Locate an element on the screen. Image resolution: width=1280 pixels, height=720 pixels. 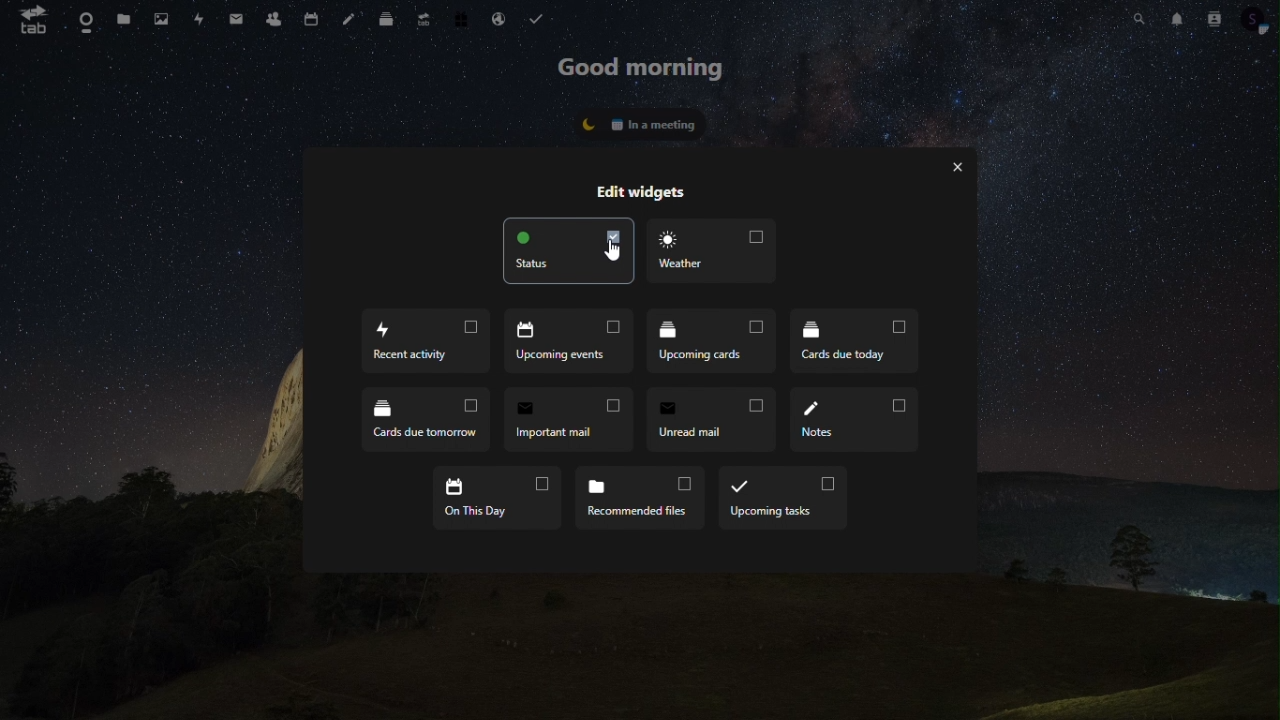
upcoming card is located at coordinates (718, 341).